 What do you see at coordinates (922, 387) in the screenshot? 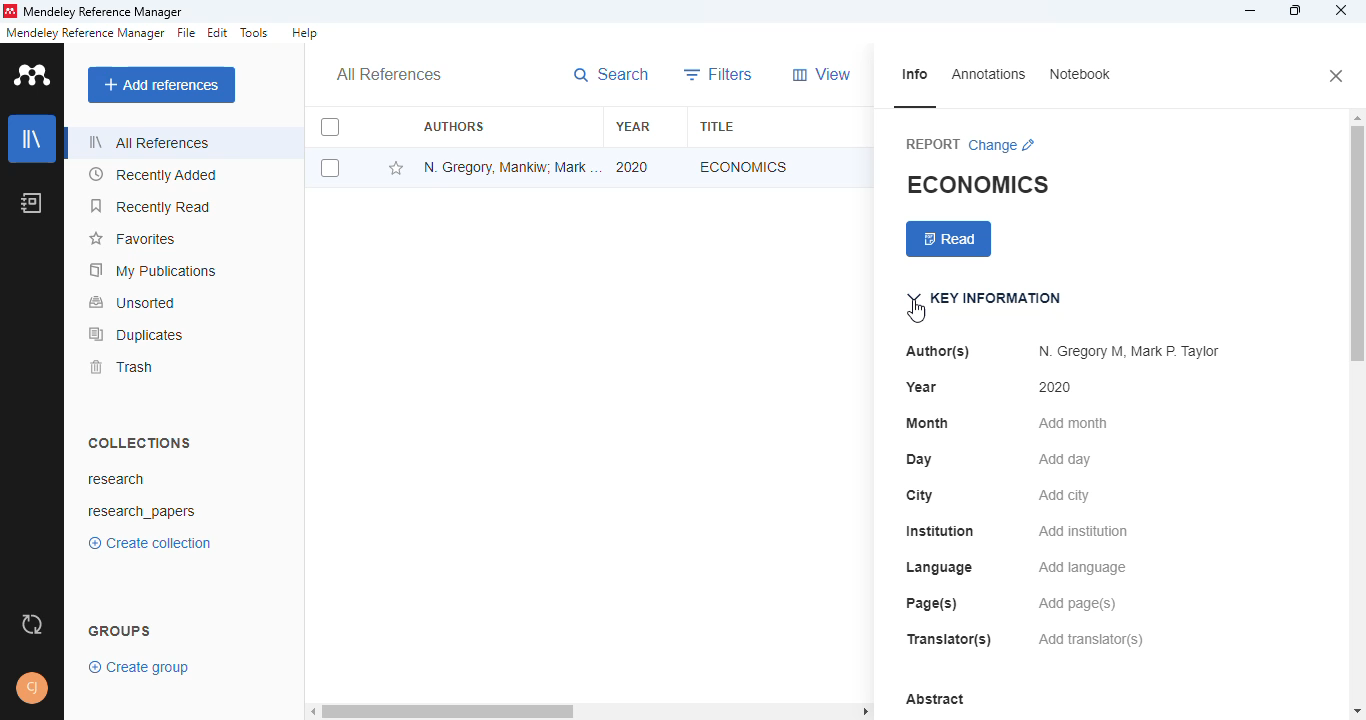
I see `year` at bounding box center [922, 387].